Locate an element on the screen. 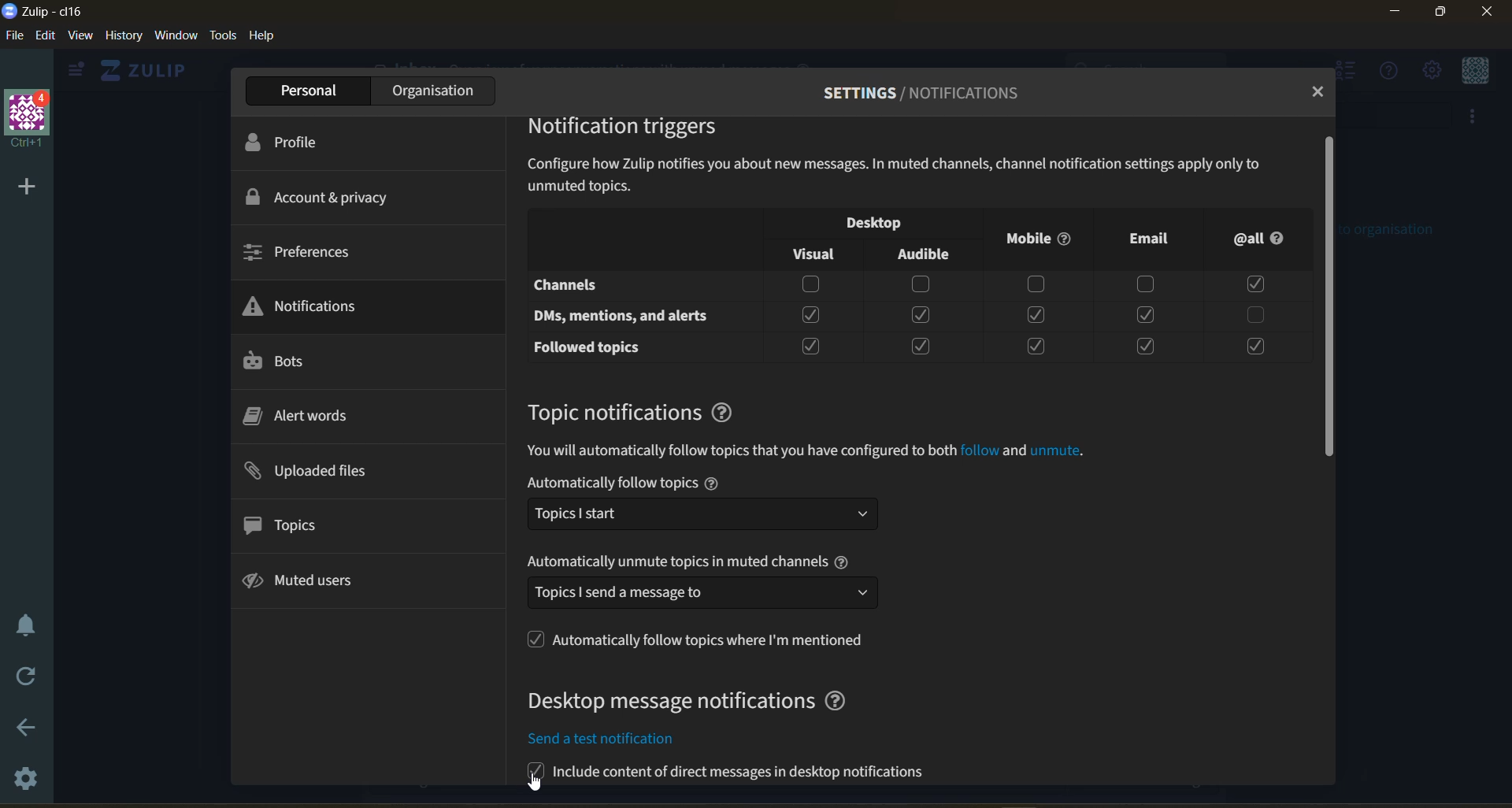 The height and width of the screenshot is (808, 1512). Checkbox is located at coordinates (810, 346).